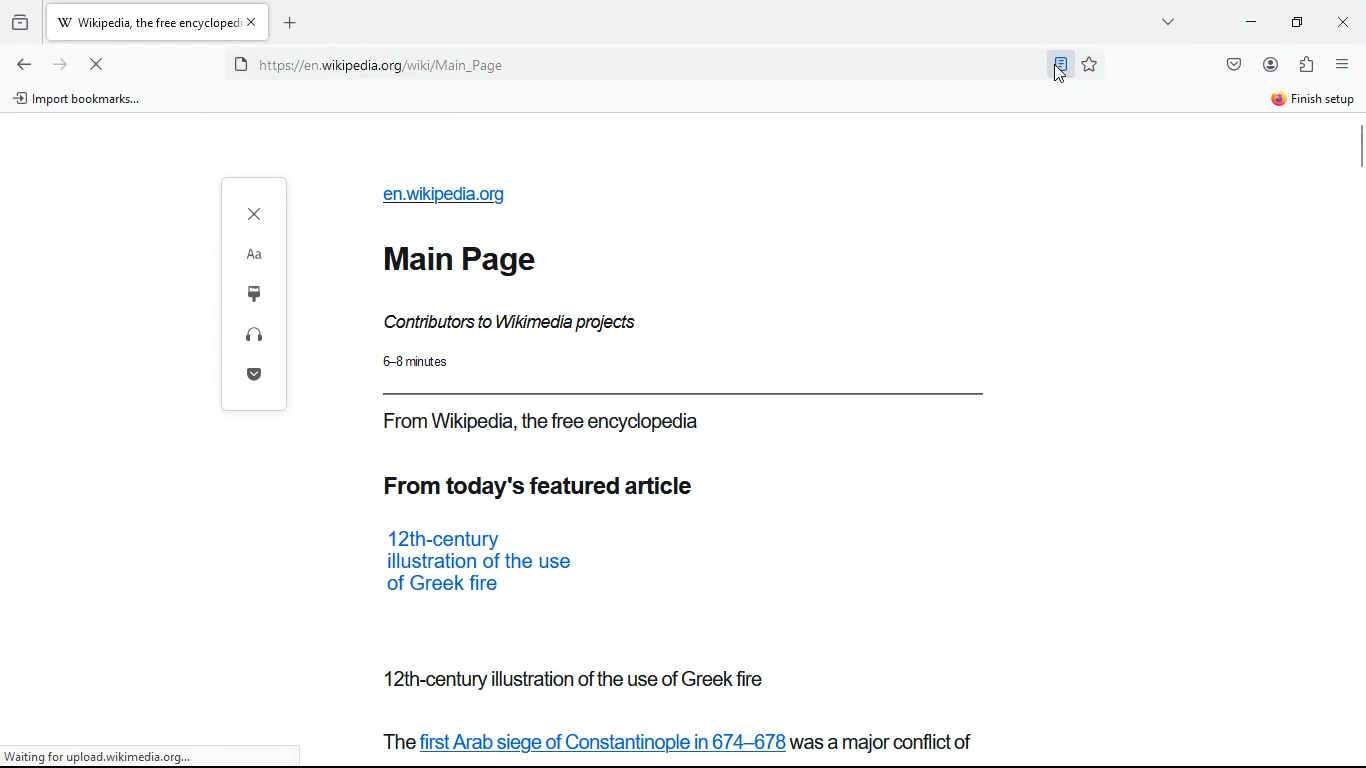 This screenshot has height=768, width=1366. Describe the element at coordinates (451, 194) in the screenshot. I see `url` at that location.